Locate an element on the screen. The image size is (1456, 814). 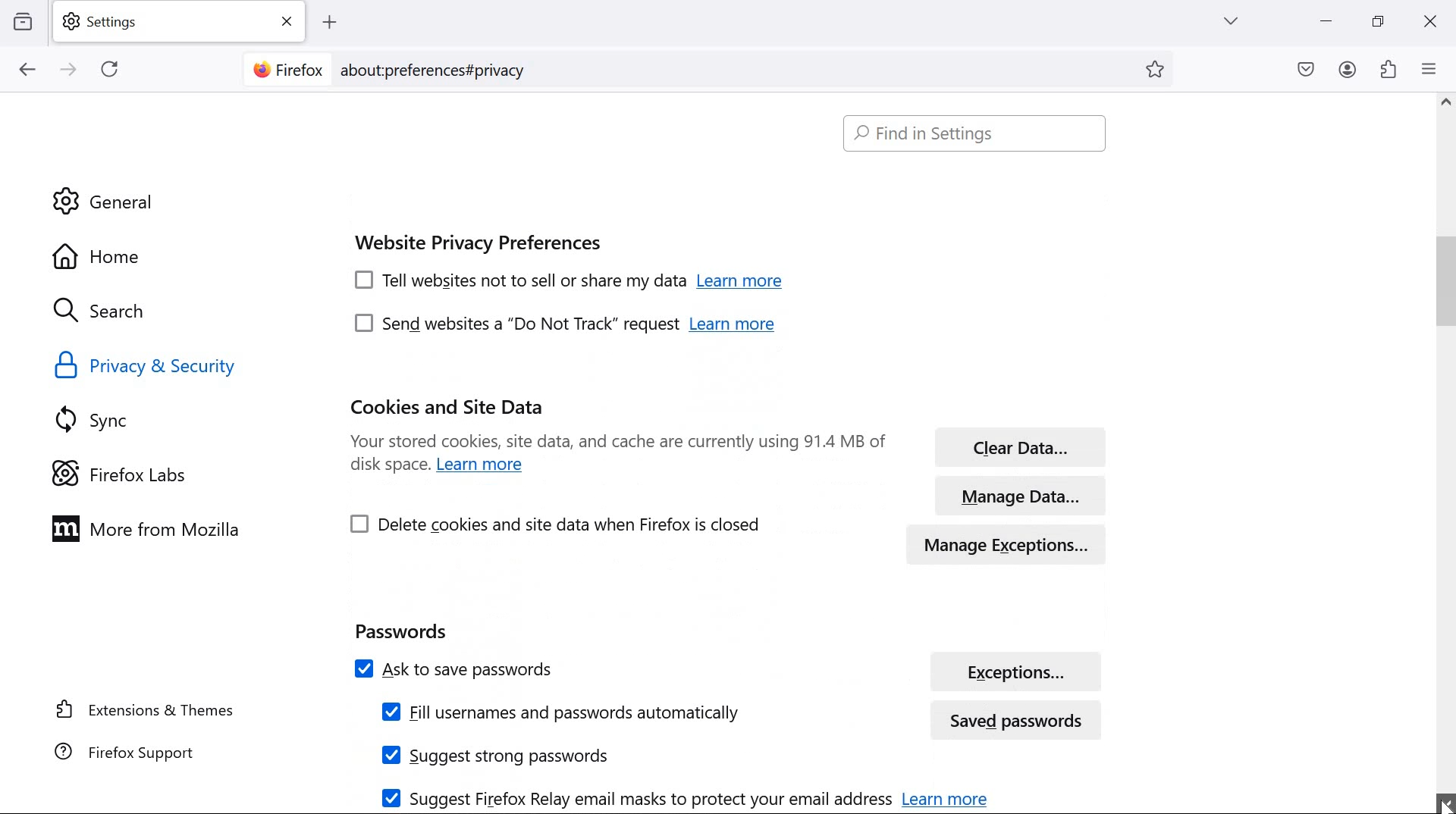
restore down is located at coordinates (1379, 20).